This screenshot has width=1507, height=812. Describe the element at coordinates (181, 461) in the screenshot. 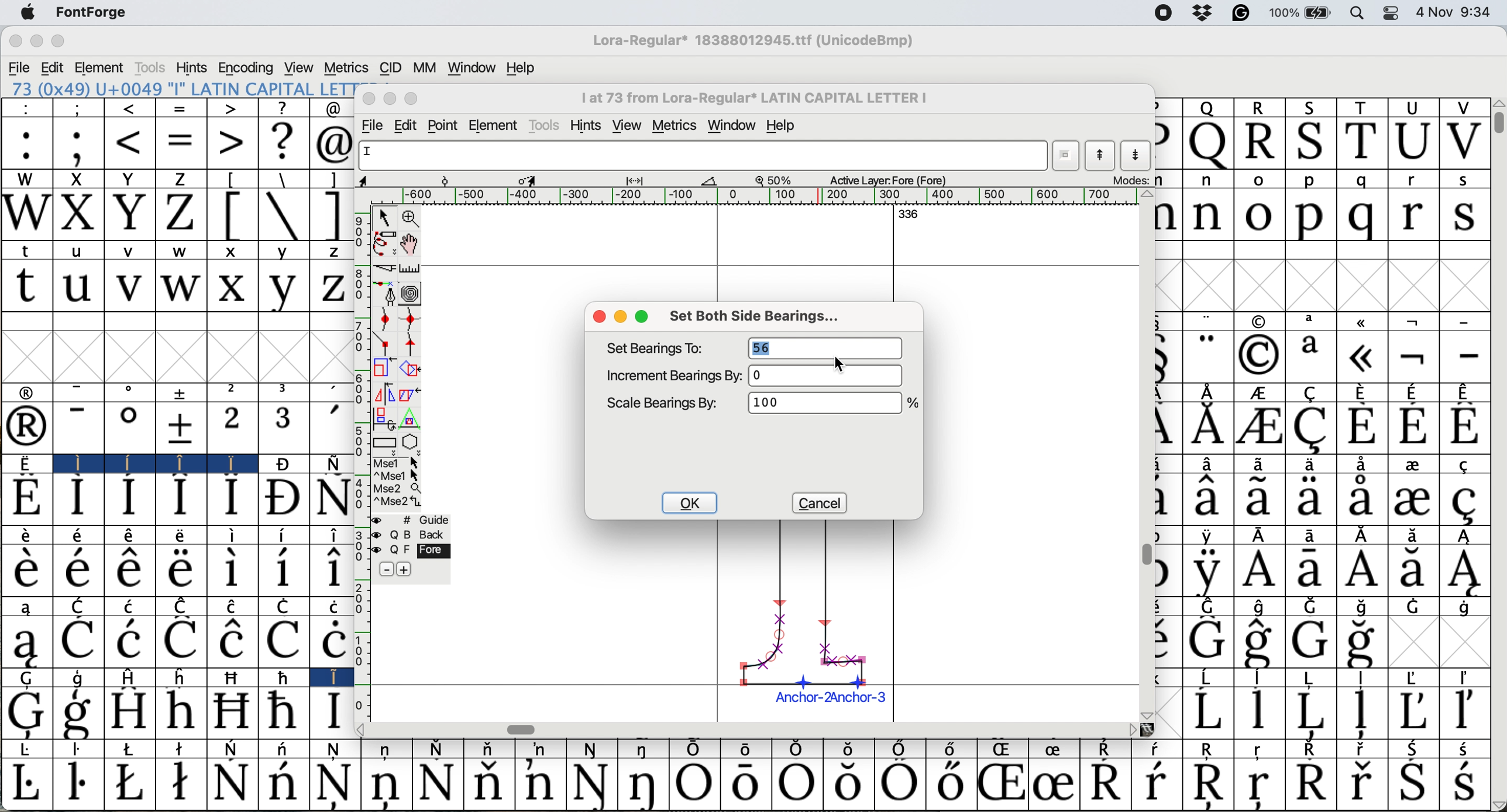

I see `` at that location.